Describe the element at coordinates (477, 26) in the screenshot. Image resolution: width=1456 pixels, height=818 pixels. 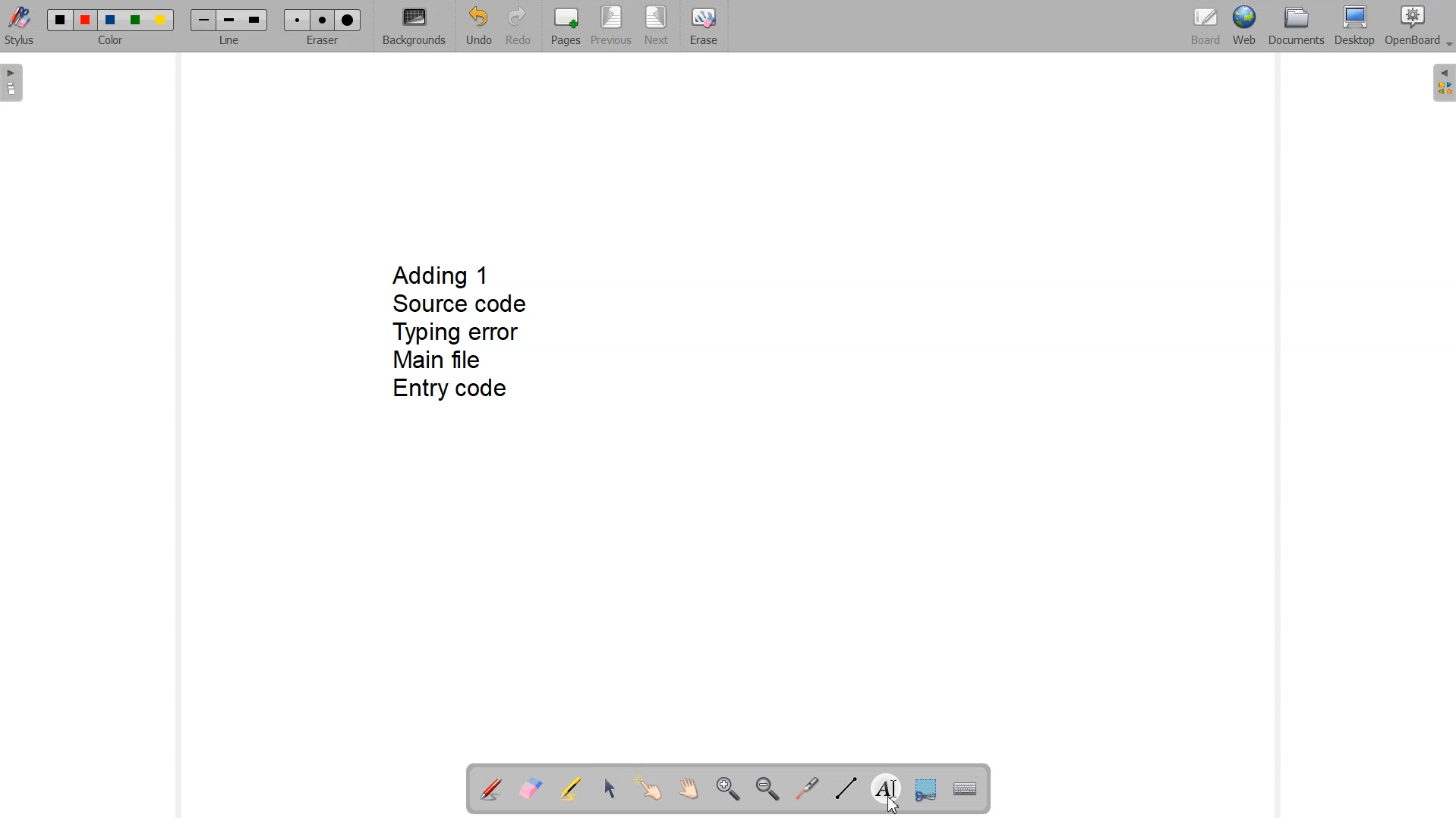
I see `Undo` at that location.